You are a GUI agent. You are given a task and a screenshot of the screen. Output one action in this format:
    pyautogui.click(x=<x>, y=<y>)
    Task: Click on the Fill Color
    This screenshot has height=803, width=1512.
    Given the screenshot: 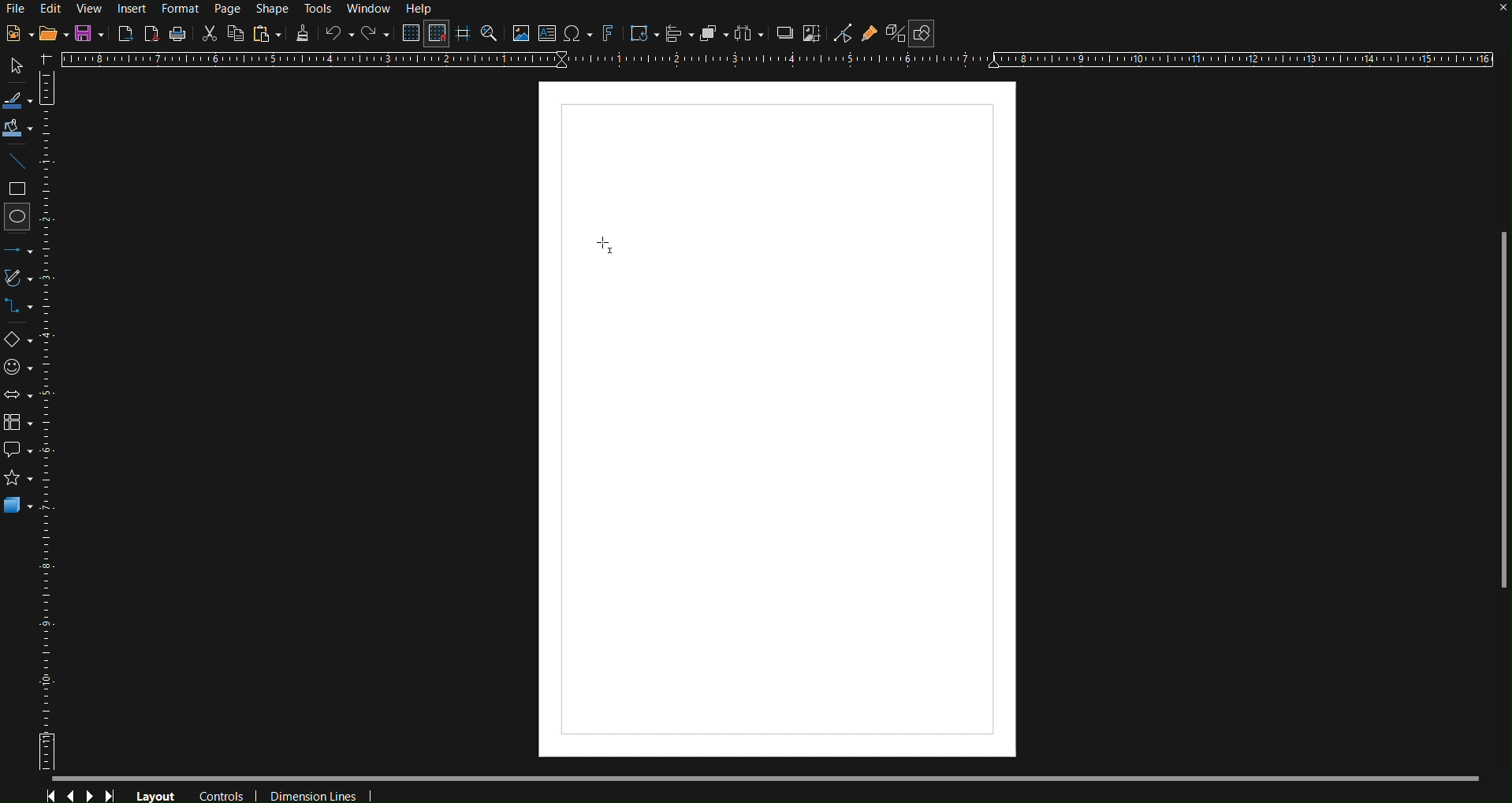 What is the action you would take?
    pyautogui.click(x=18, y=129)
    